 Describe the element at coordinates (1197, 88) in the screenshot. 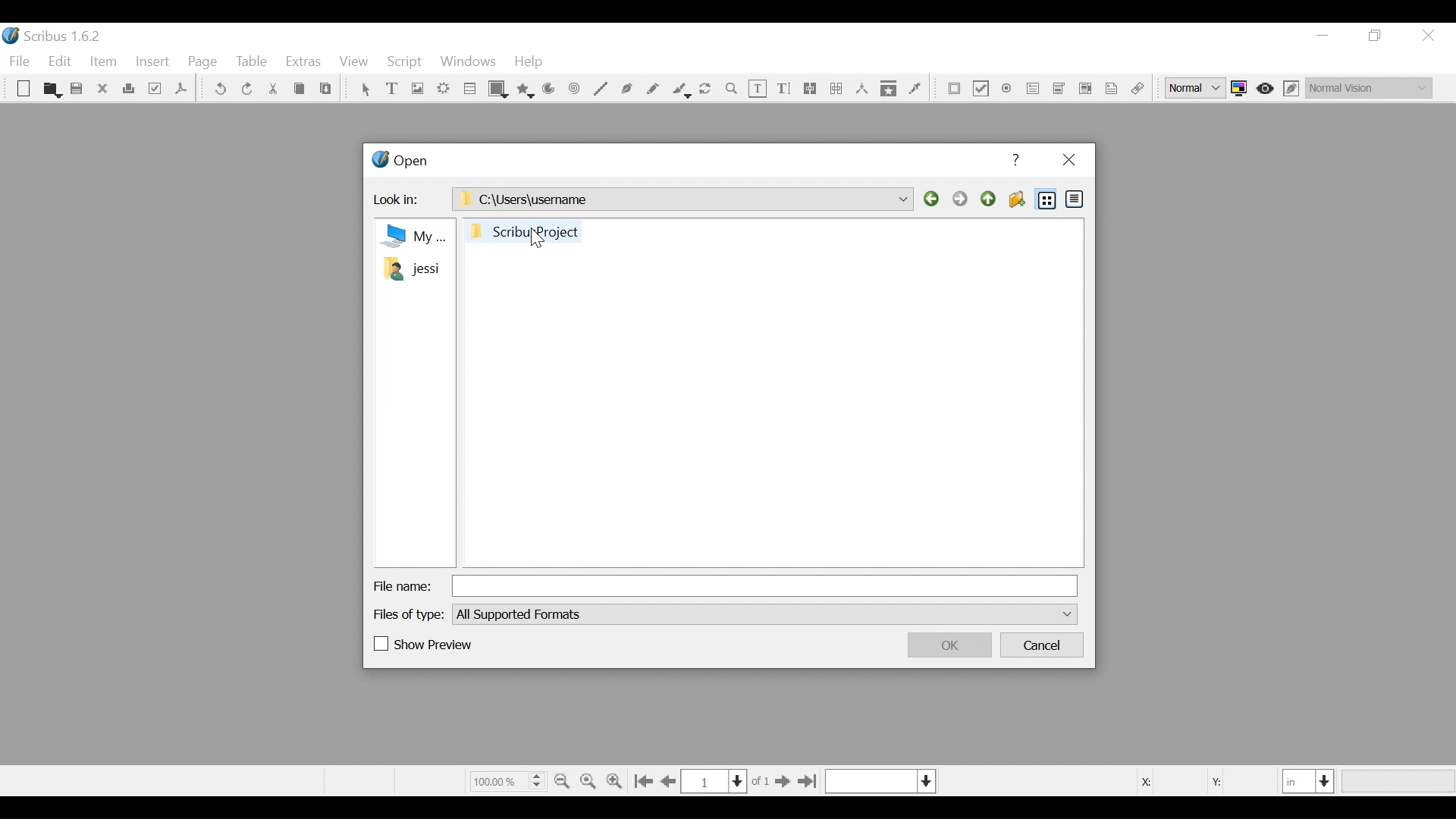

I see `Select the image preview quality` at that location.